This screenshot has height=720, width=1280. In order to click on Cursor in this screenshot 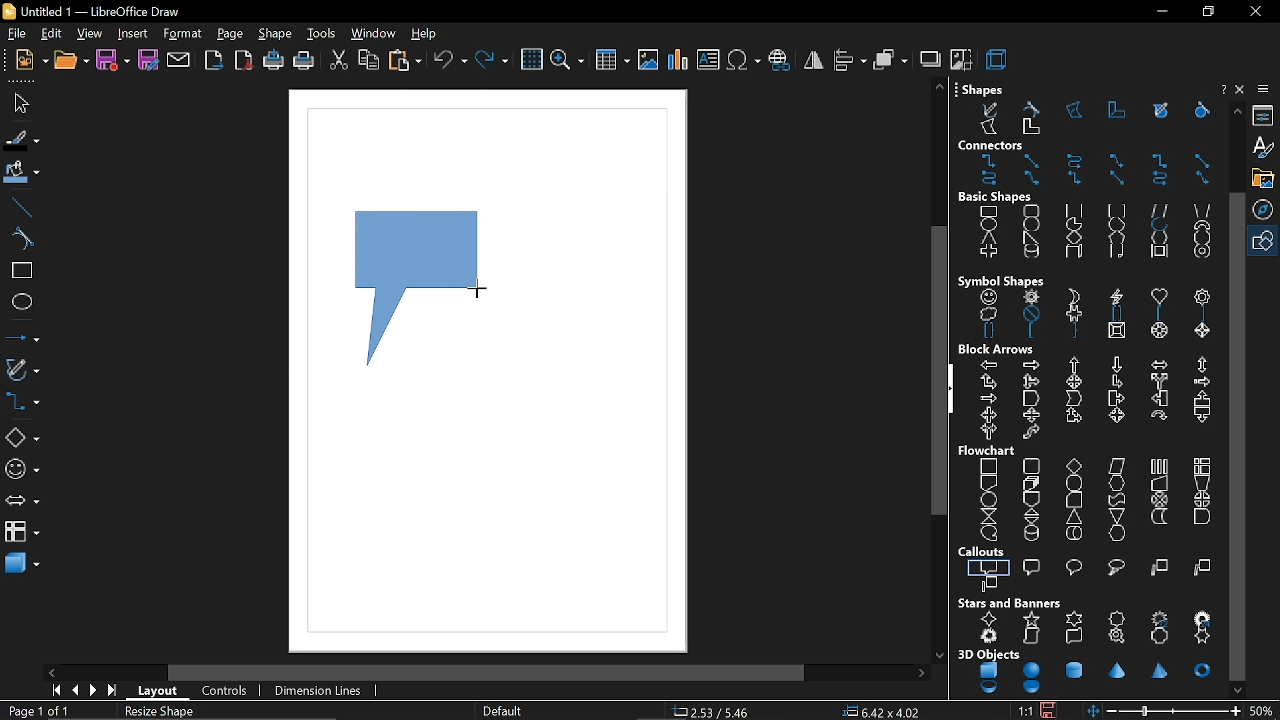, I will do `click(481, 291)`.